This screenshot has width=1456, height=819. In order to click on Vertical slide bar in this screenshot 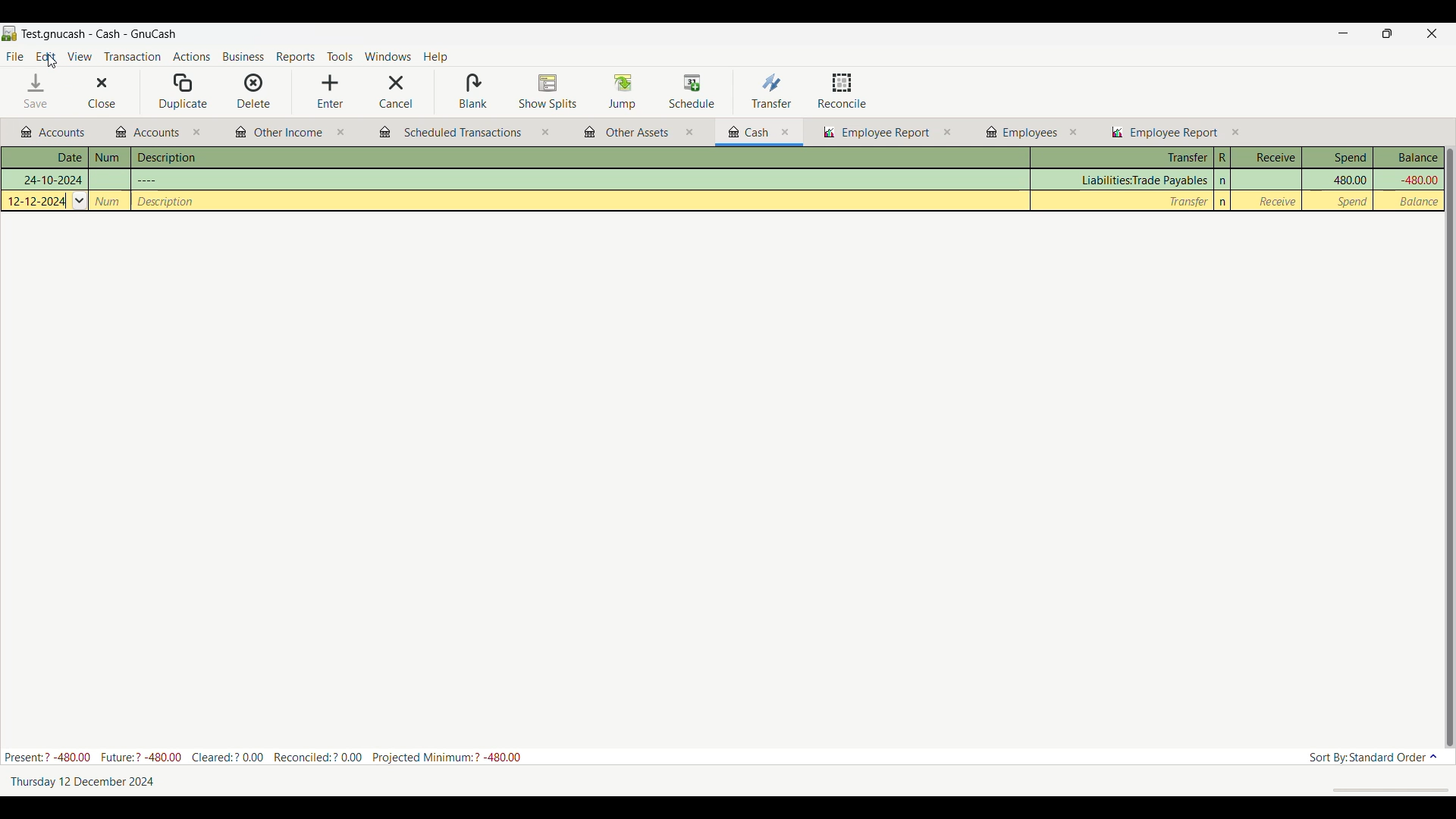, I will do `click(1450, 447)`.